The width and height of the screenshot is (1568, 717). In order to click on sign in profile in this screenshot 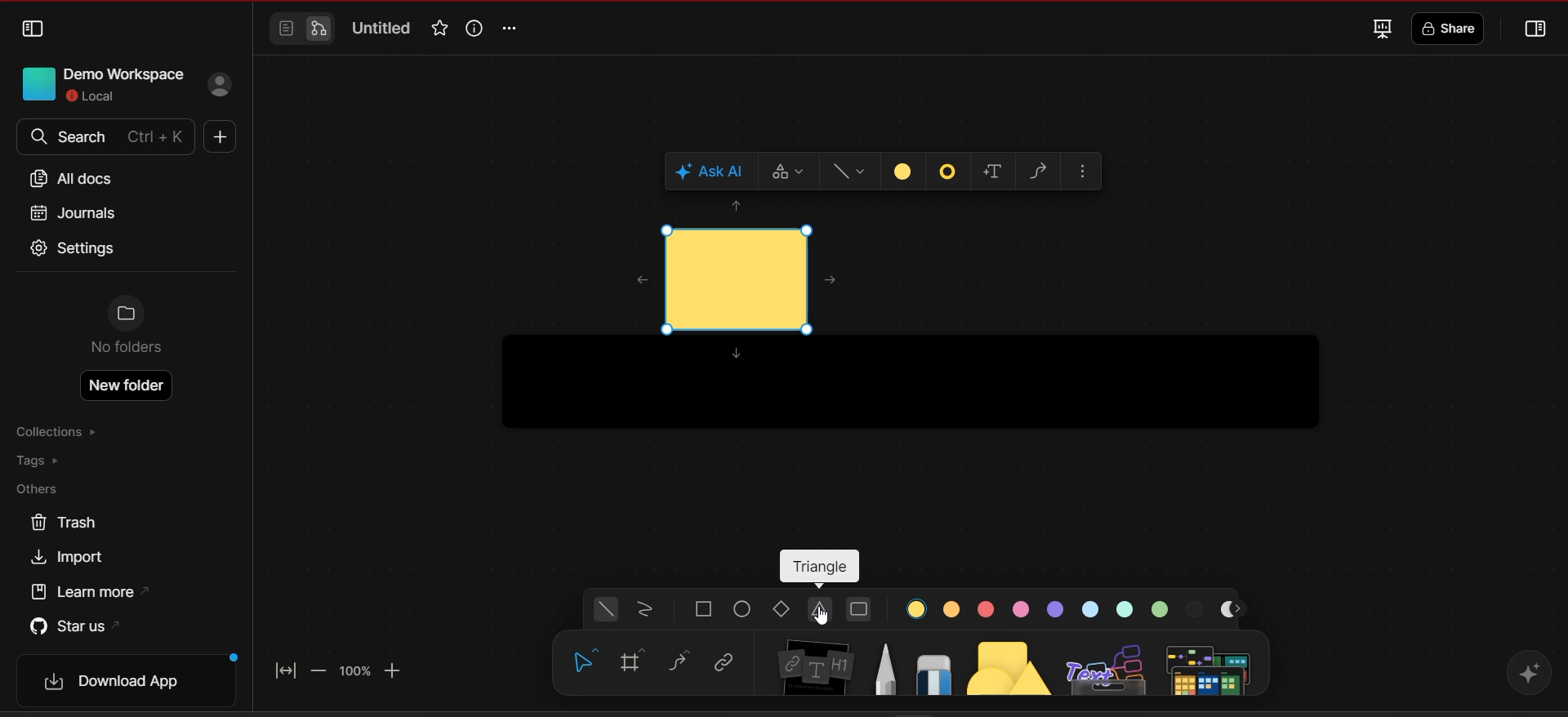, I will do `click(222, 86)`.